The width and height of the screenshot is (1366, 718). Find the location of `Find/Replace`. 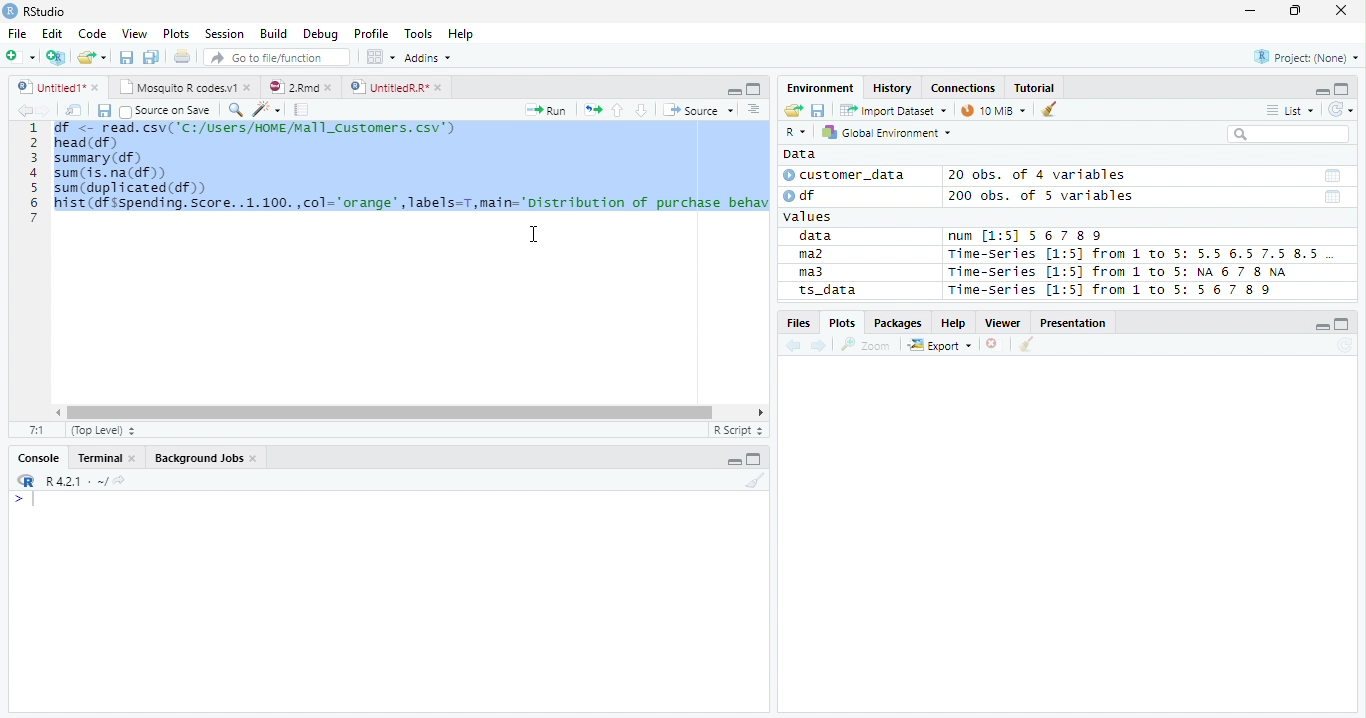

Find/Replace is located at coordinates (234, 109).